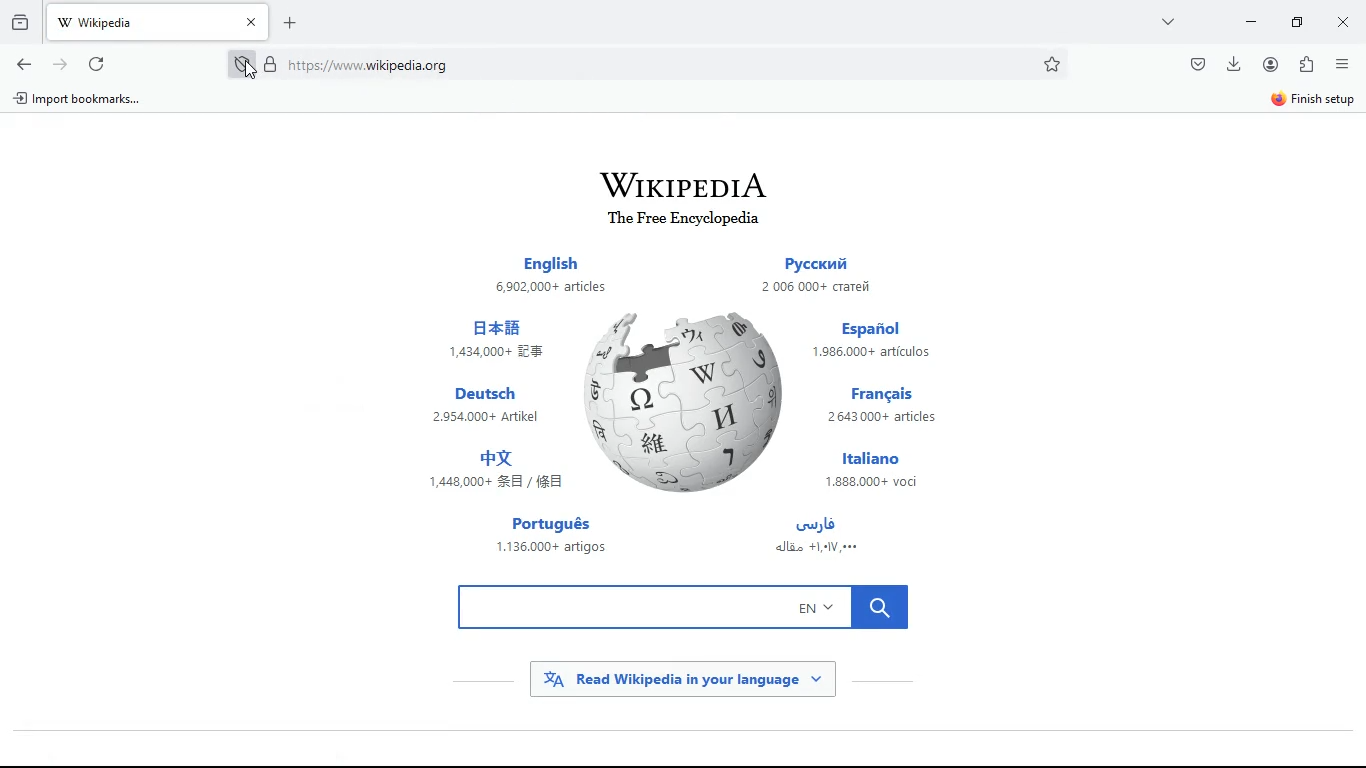  What do you see at coordinates (1166, 22) in the screenshot?
I see `more` at bounding box center [1166, 22].